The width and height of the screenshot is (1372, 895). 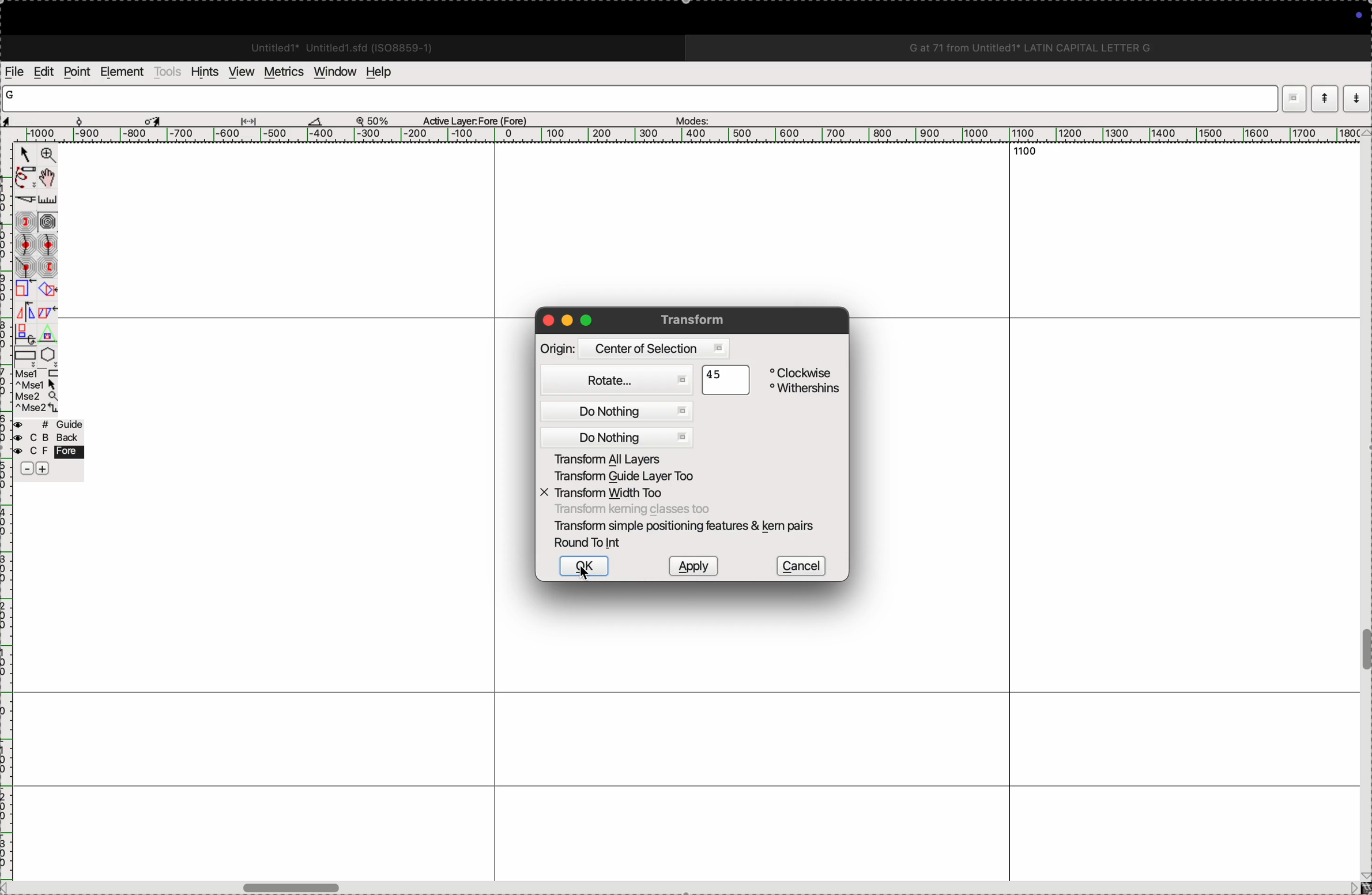 What do you see at coordinates (692, 134) in the screenshot?
I see `scale` at bounding box center [692, 134].